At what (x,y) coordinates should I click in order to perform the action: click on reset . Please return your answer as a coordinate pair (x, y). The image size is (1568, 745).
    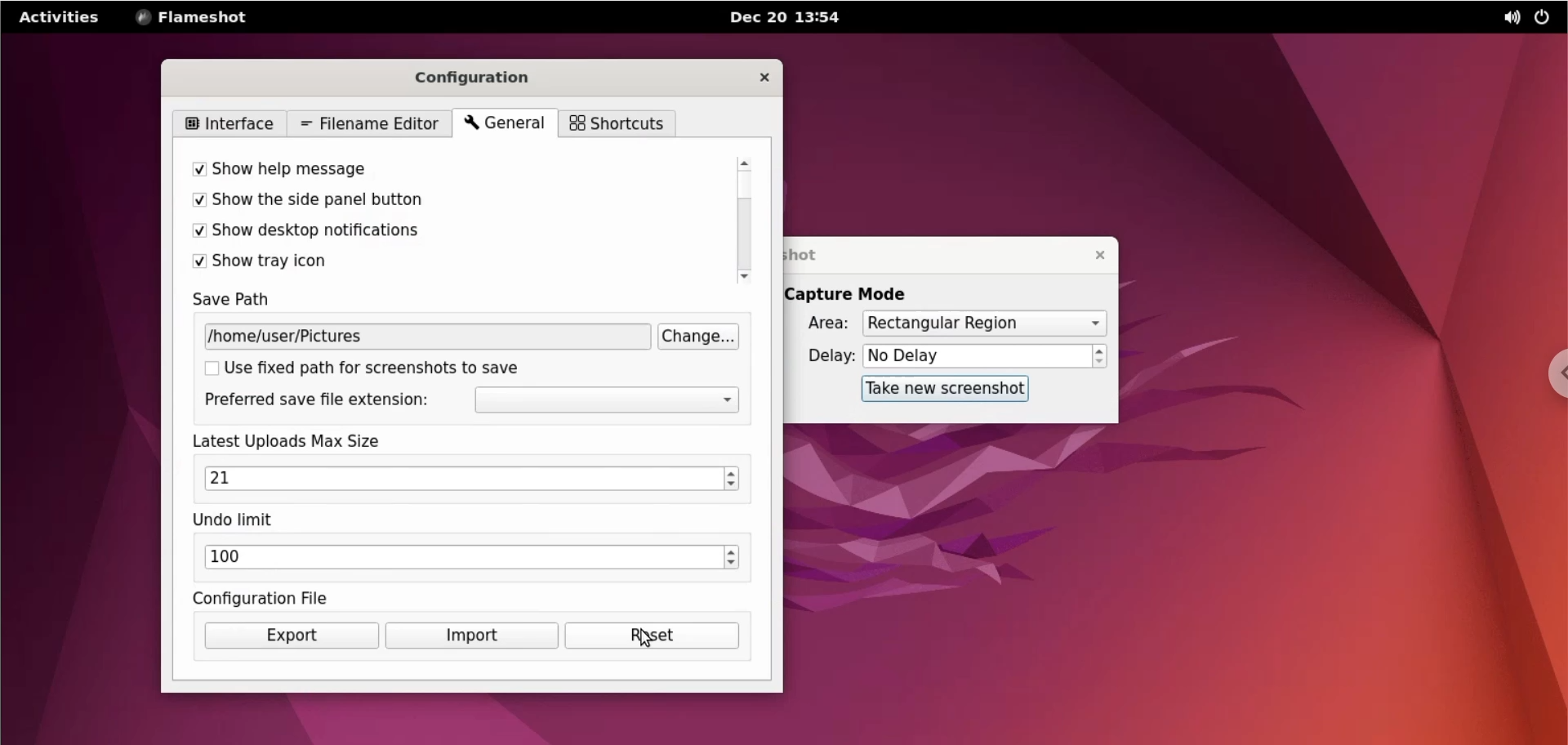
    Looking at the image, I should click on (650, 636).